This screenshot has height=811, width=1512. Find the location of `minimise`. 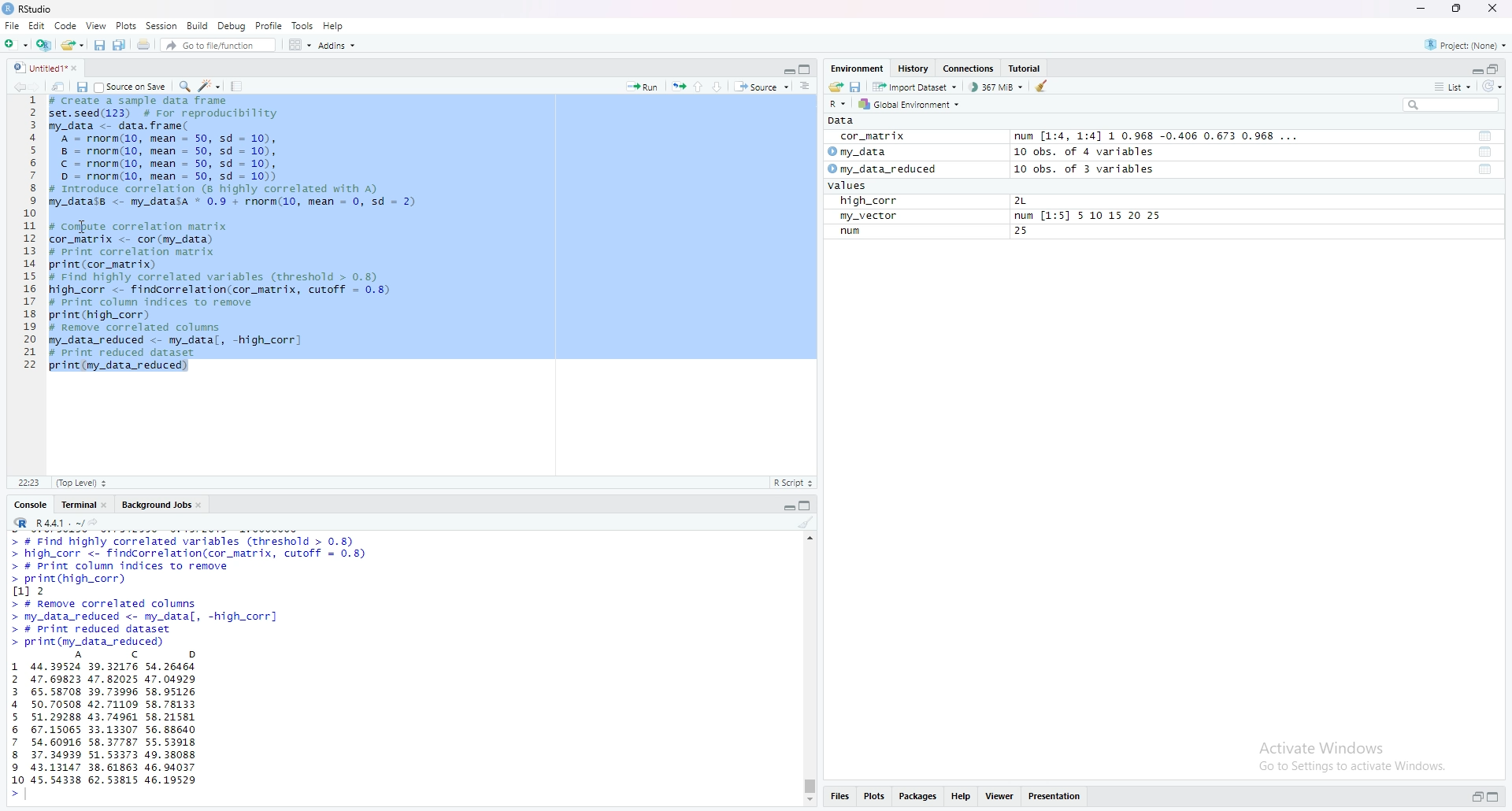

minimise is located at coordinates (1421, 8).